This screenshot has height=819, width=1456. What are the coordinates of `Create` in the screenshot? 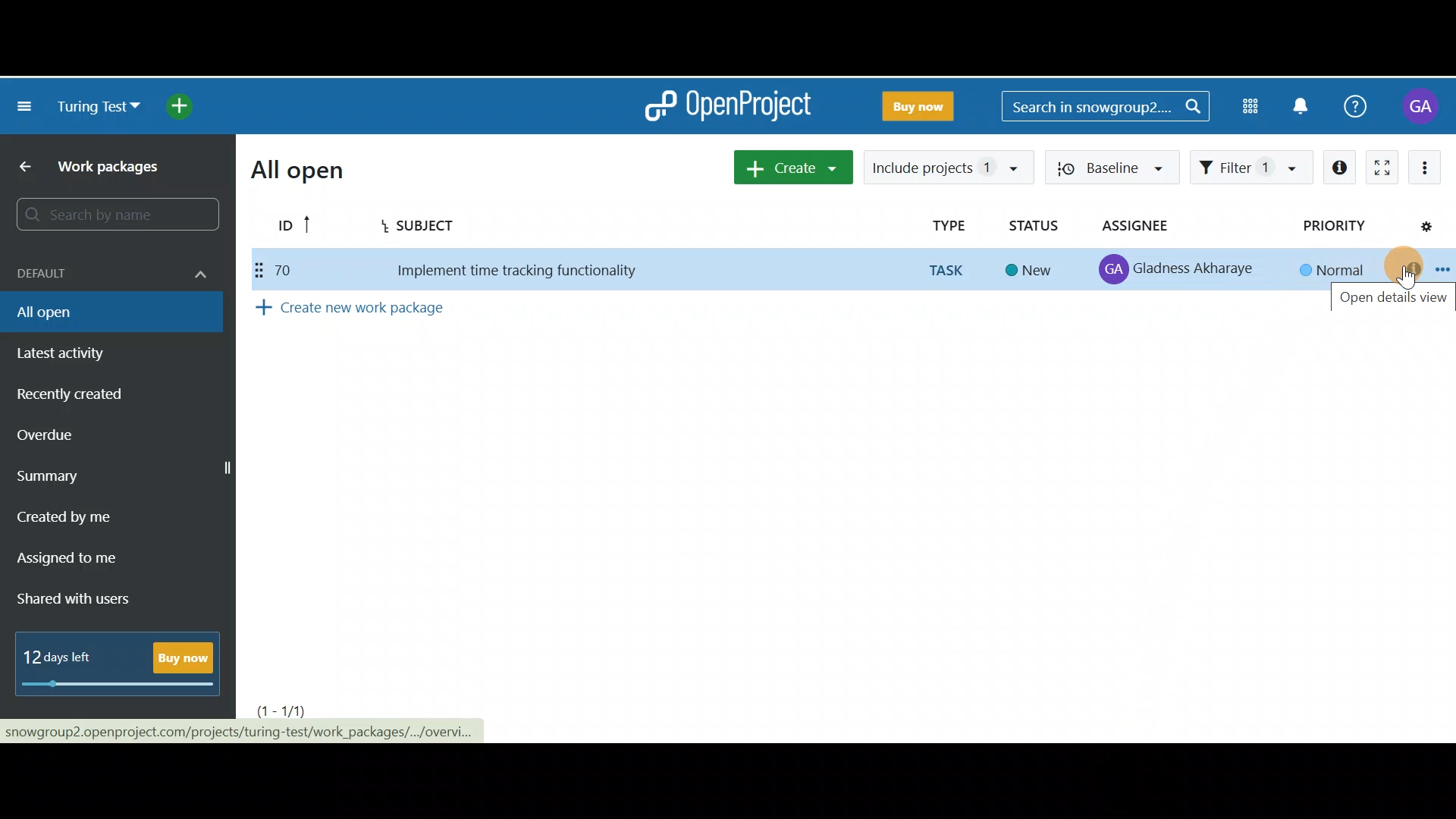 It's located at (795, 170).